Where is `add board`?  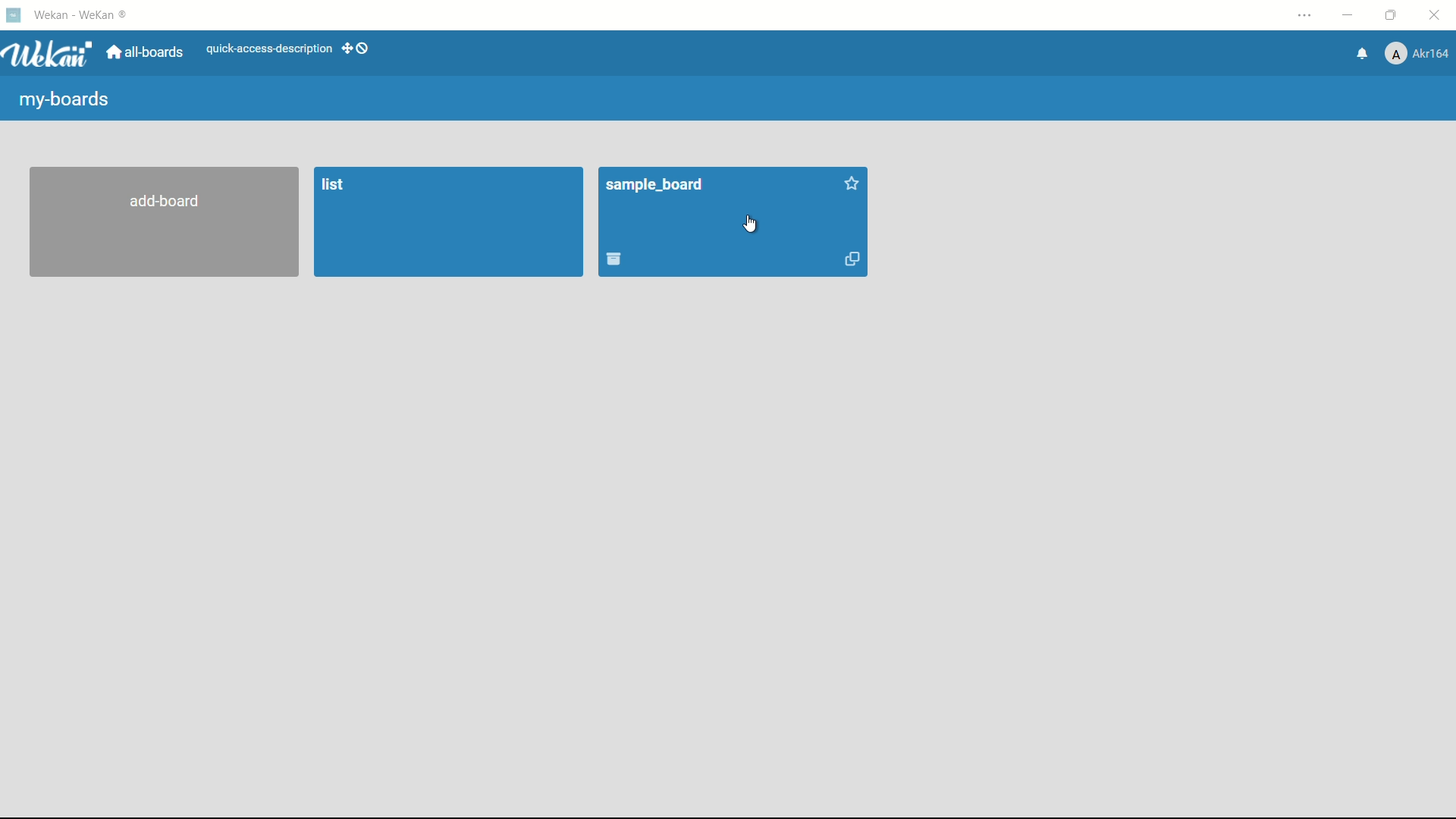 add board is located at coordinates (162, 221).